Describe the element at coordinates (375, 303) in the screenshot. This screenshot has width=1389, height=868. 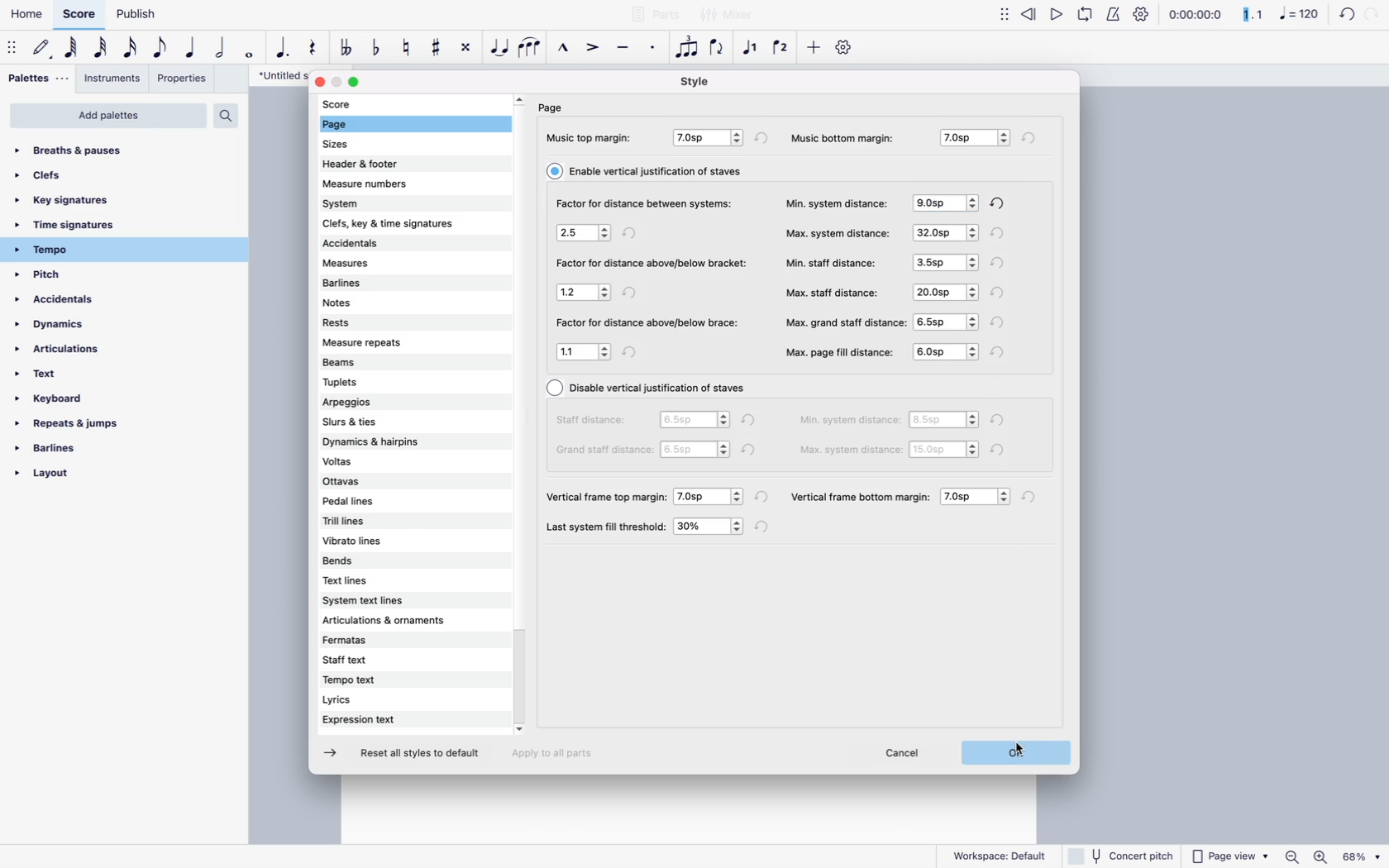
I see `notes` at that location.